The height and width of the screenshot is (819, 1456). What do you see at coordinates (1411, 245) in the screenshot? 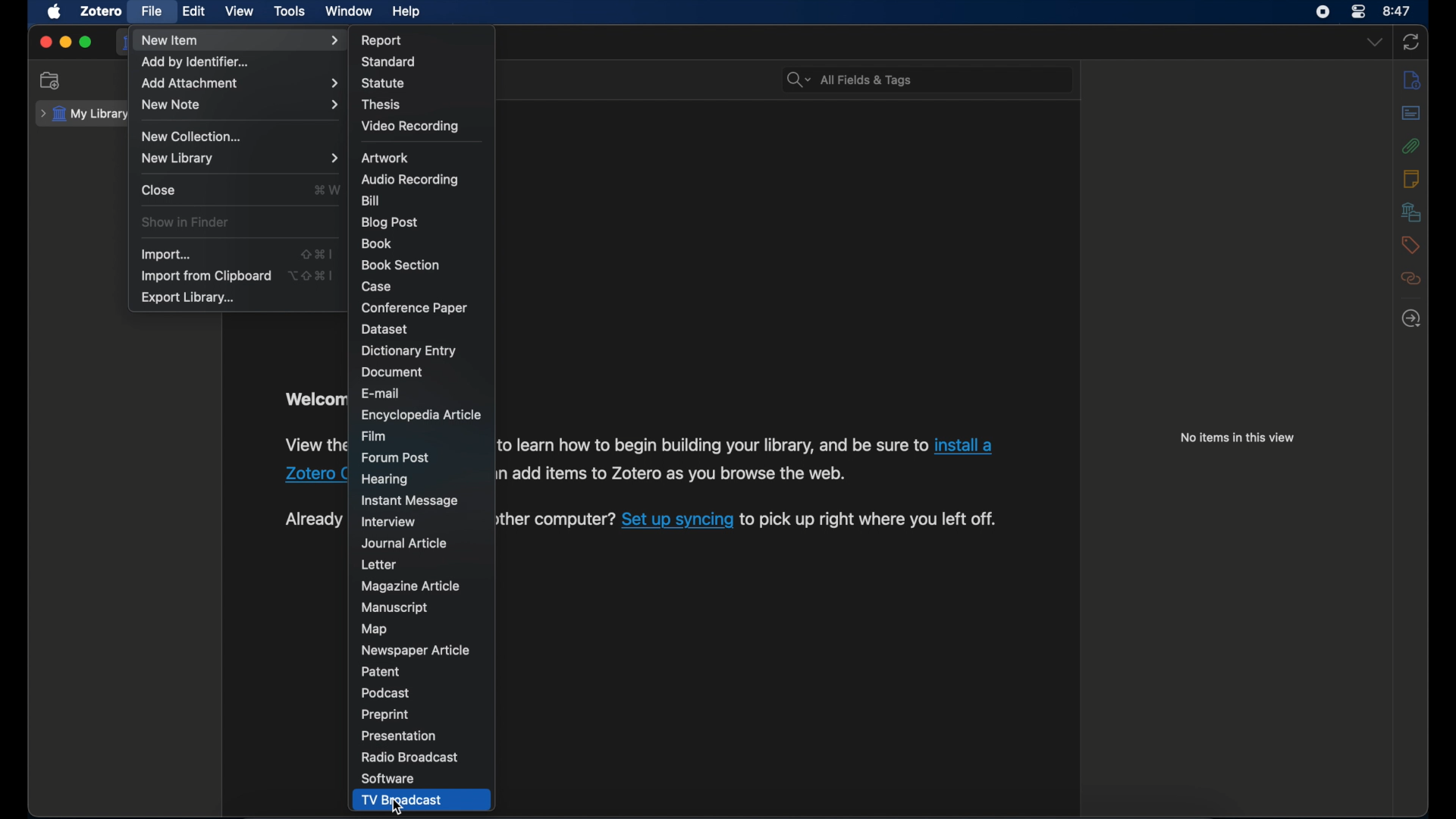
I see `tags` at bounding box center [1411, 245].